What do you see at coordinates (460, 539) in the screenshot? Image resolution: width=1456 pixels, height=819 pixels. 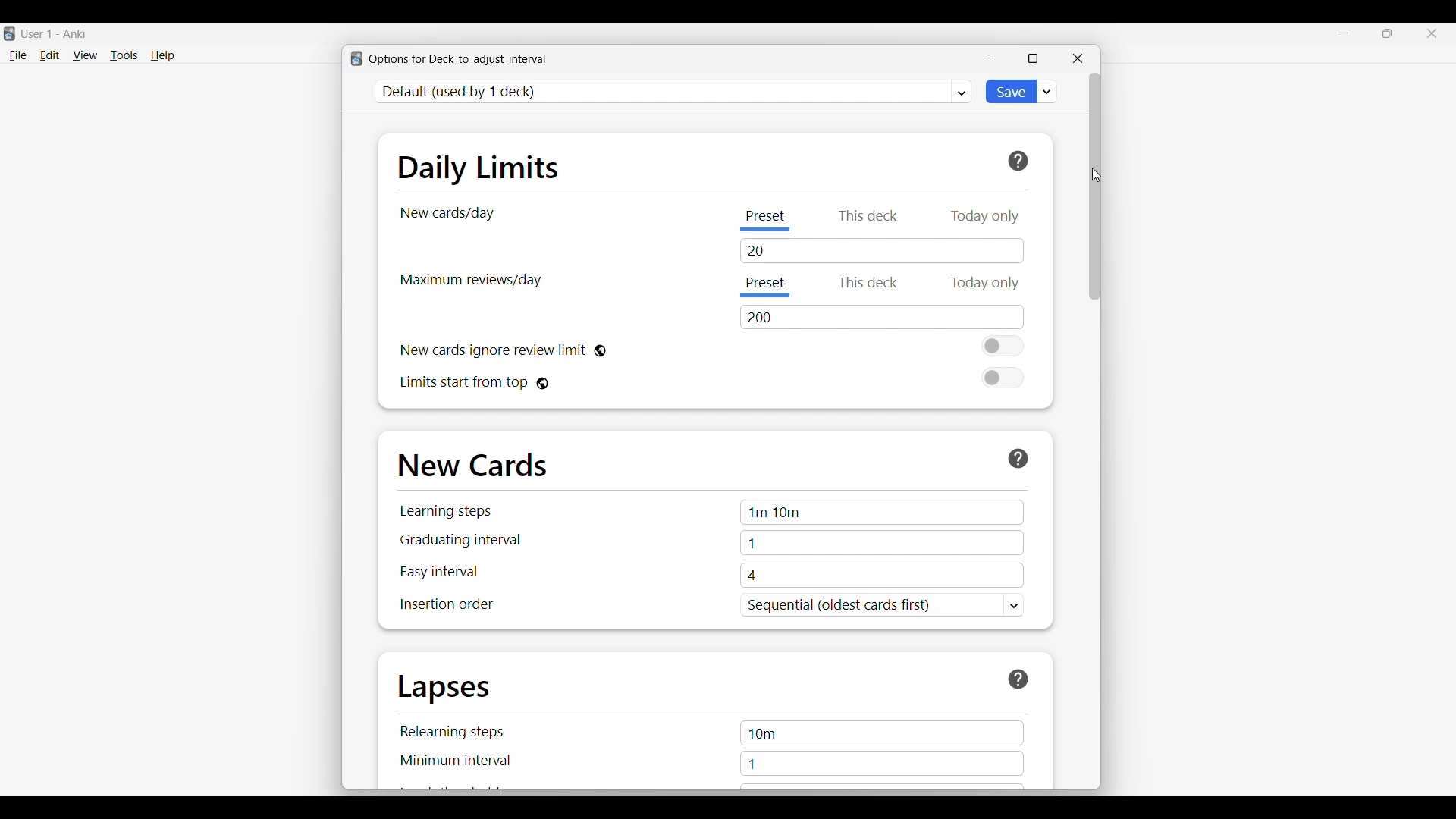 I see `Indicates graduating interval ` at bounding box center [460, 539].